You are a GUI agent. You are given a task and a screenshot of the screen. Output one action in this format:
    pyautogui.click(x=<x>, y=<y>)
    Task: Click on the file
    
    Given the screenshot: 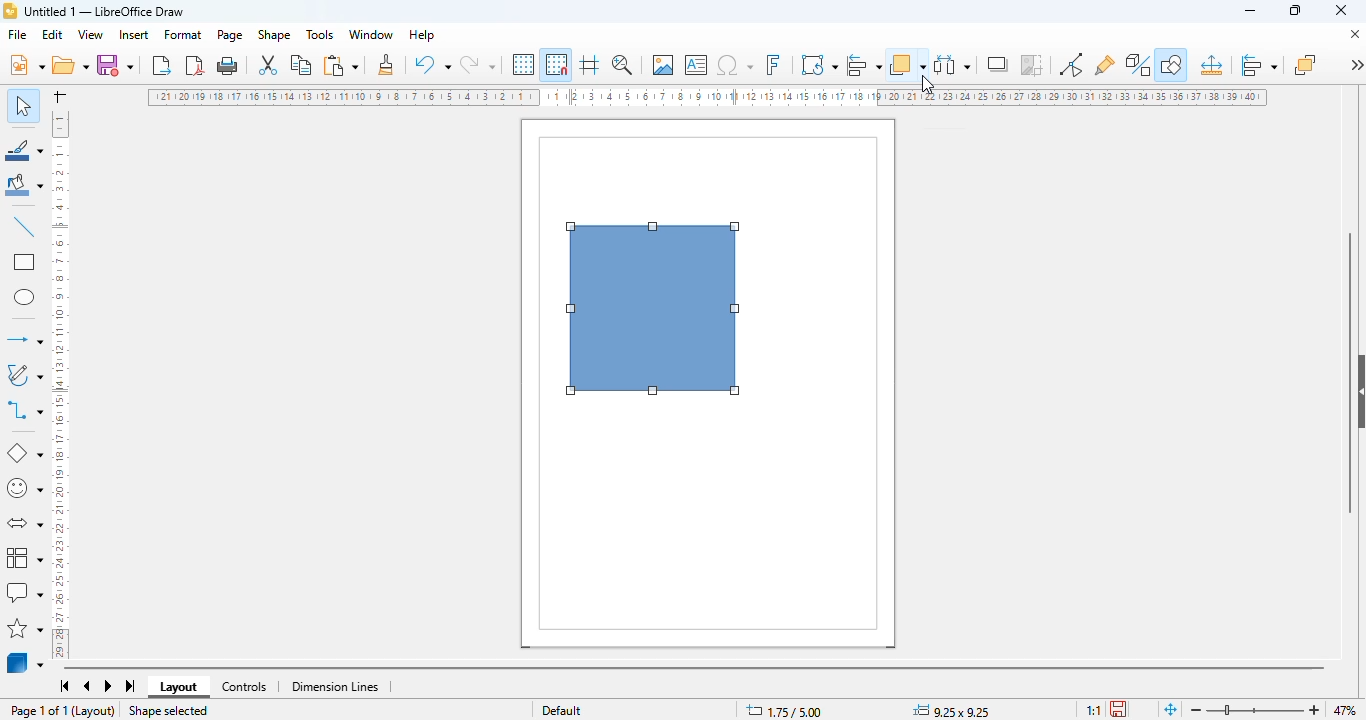 What is the action you would take?
    pyautogui.click(x=17, y=34)
    